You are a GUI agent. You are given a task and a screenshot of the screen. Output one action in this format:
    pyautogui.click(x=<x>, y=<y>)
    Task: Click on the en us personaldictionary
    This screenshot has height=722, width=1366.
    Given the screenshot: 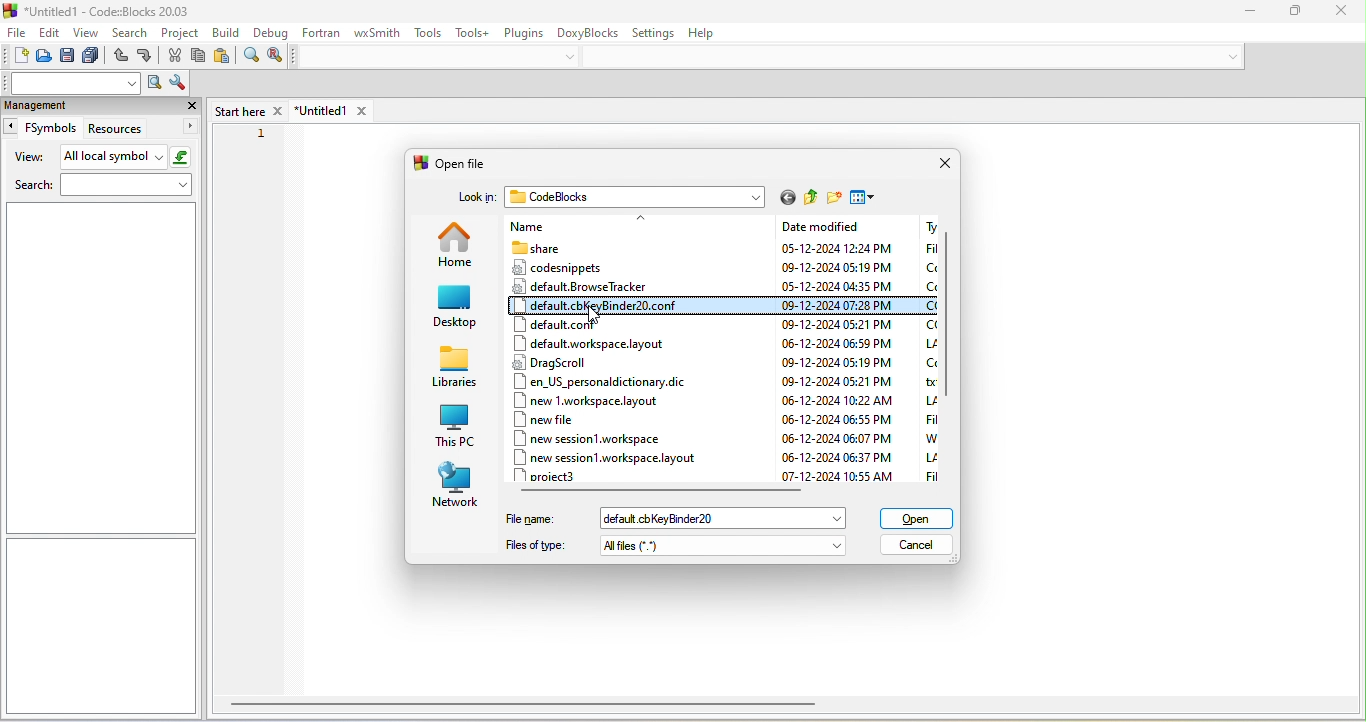 What is the action you would take?
    pyautogui.click(x=607, y=382)
    